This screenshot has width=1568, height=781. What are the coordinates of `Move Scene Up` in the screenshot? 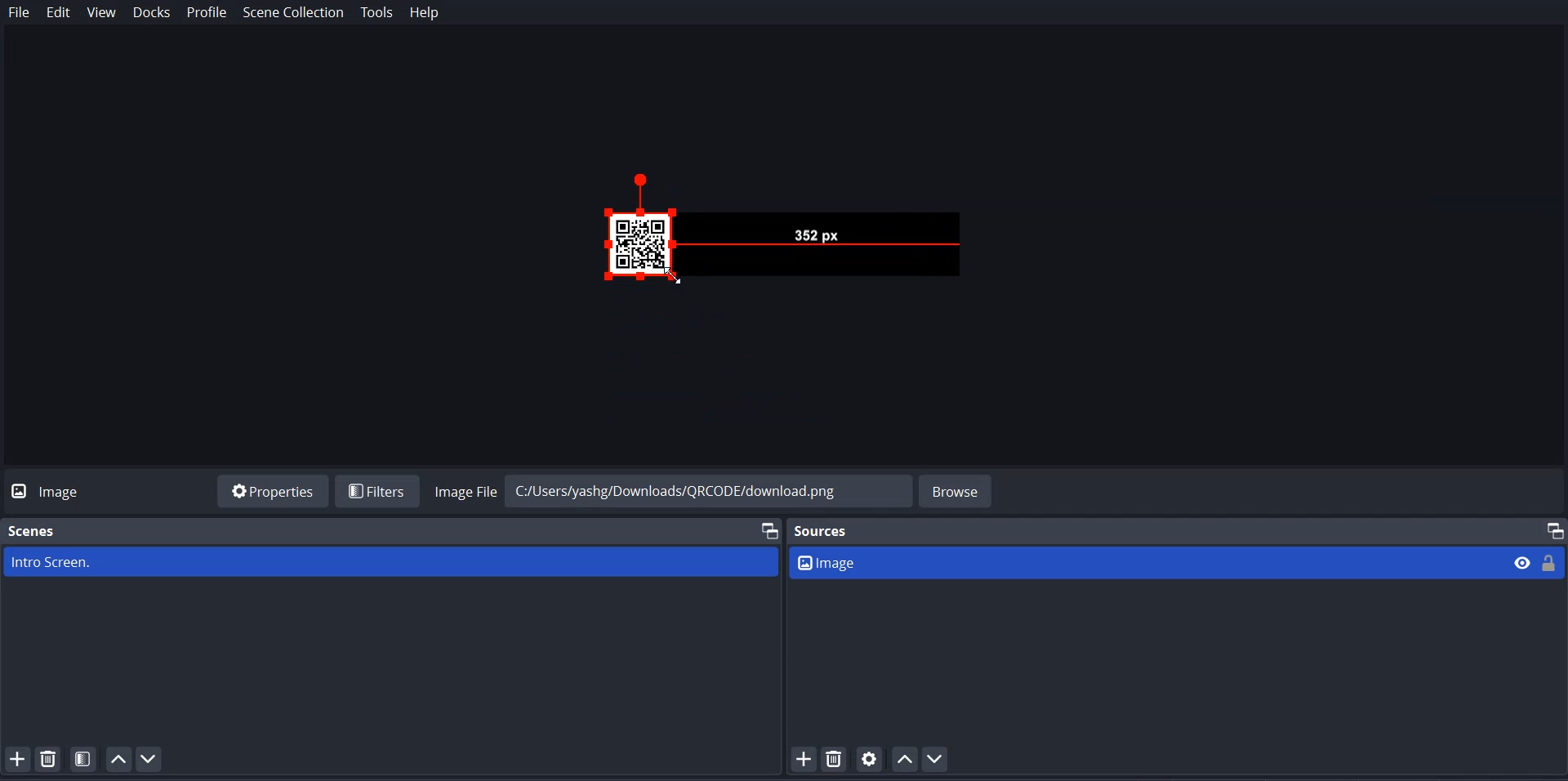 It's located at (118, 758).